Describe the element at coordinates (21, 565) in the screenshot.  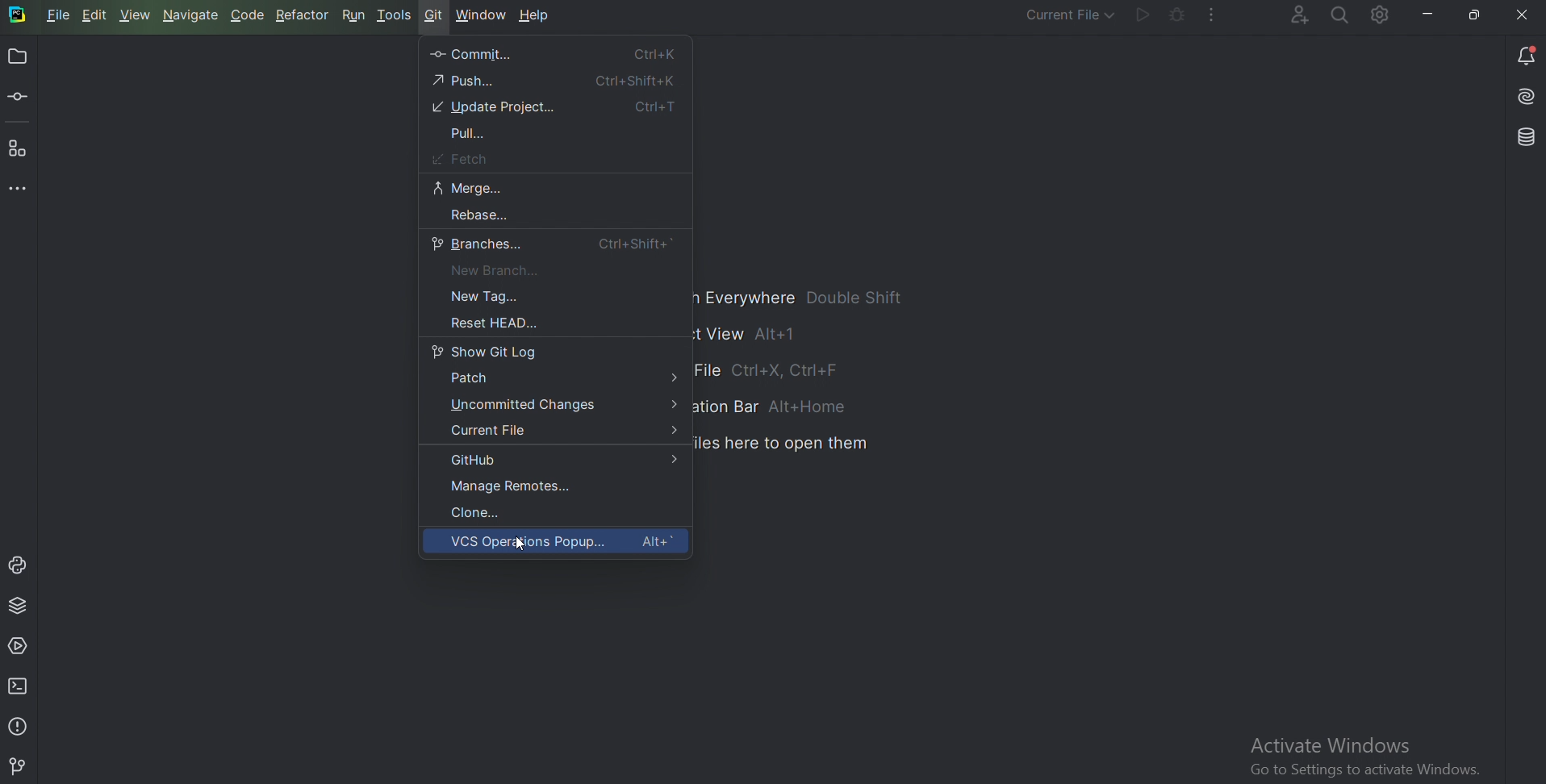
I see `Python console` at that location.